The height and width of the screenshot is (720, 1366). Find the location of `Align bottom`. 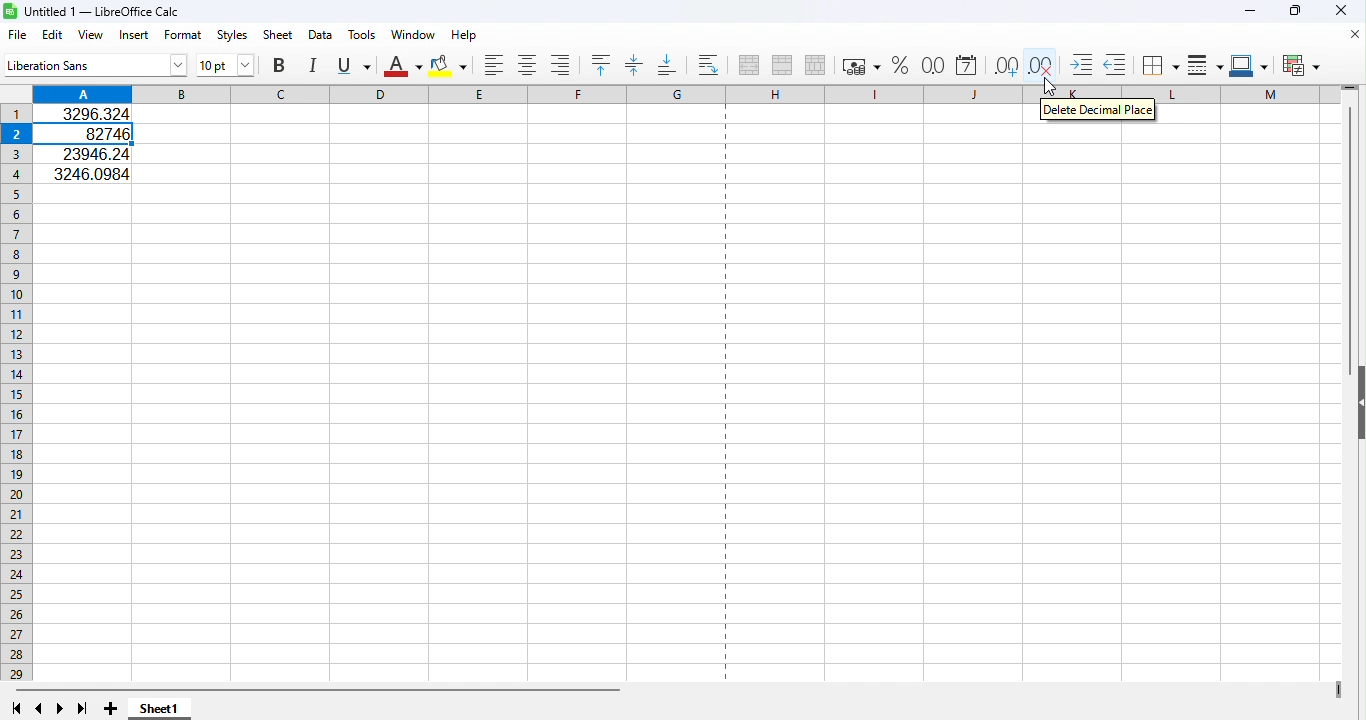

Align bottom is located at coordinates (665, 63).